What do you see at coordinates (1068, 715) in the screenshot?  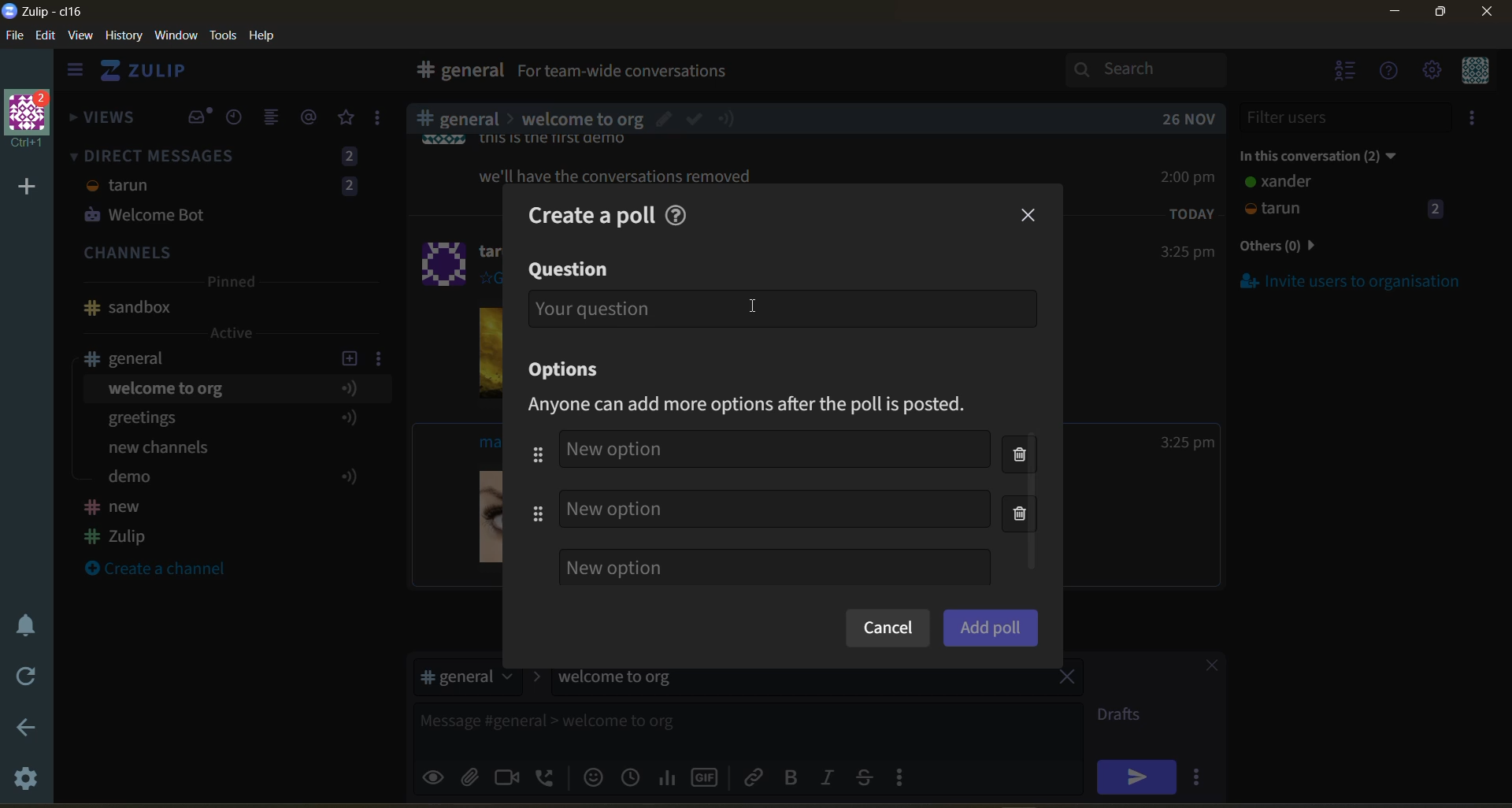 I see `expand compose box` at bounding box center [1068, 715].